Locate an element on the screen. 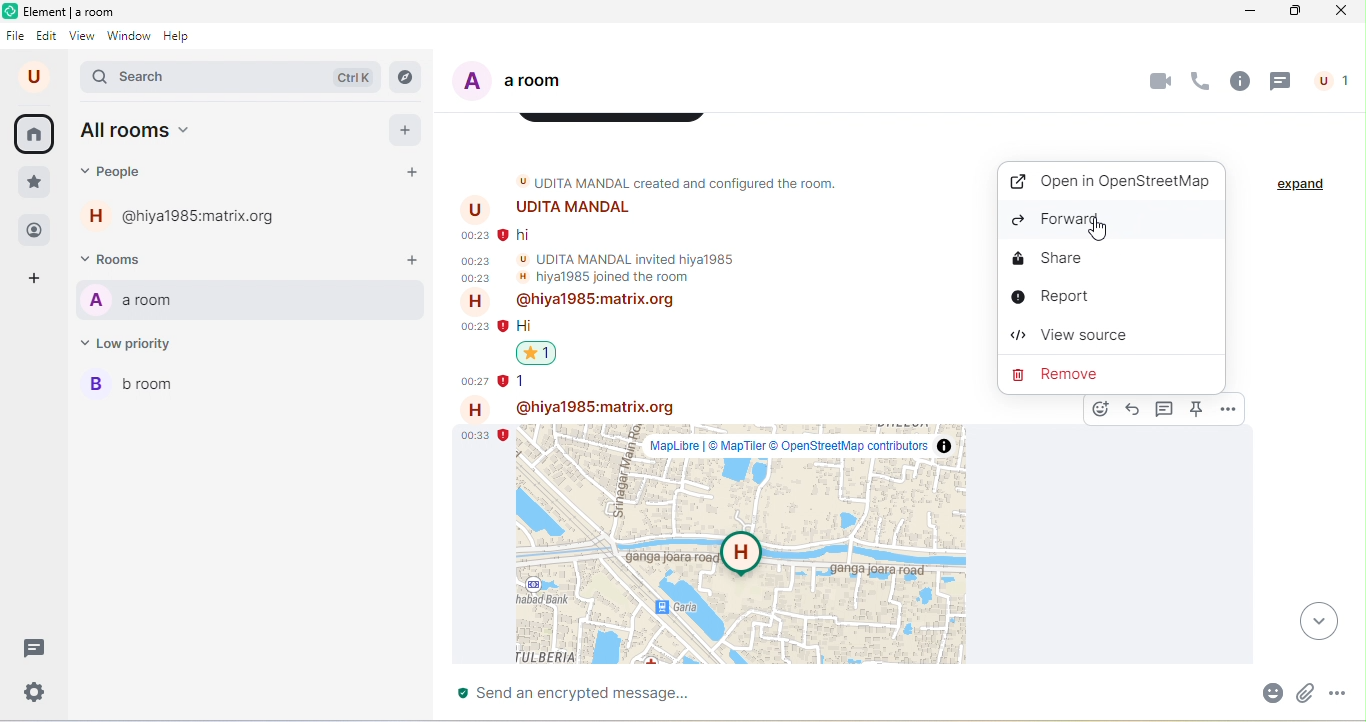 This screenshot has height=722, width=1366. emoji is located at coordinates (1275, 694).